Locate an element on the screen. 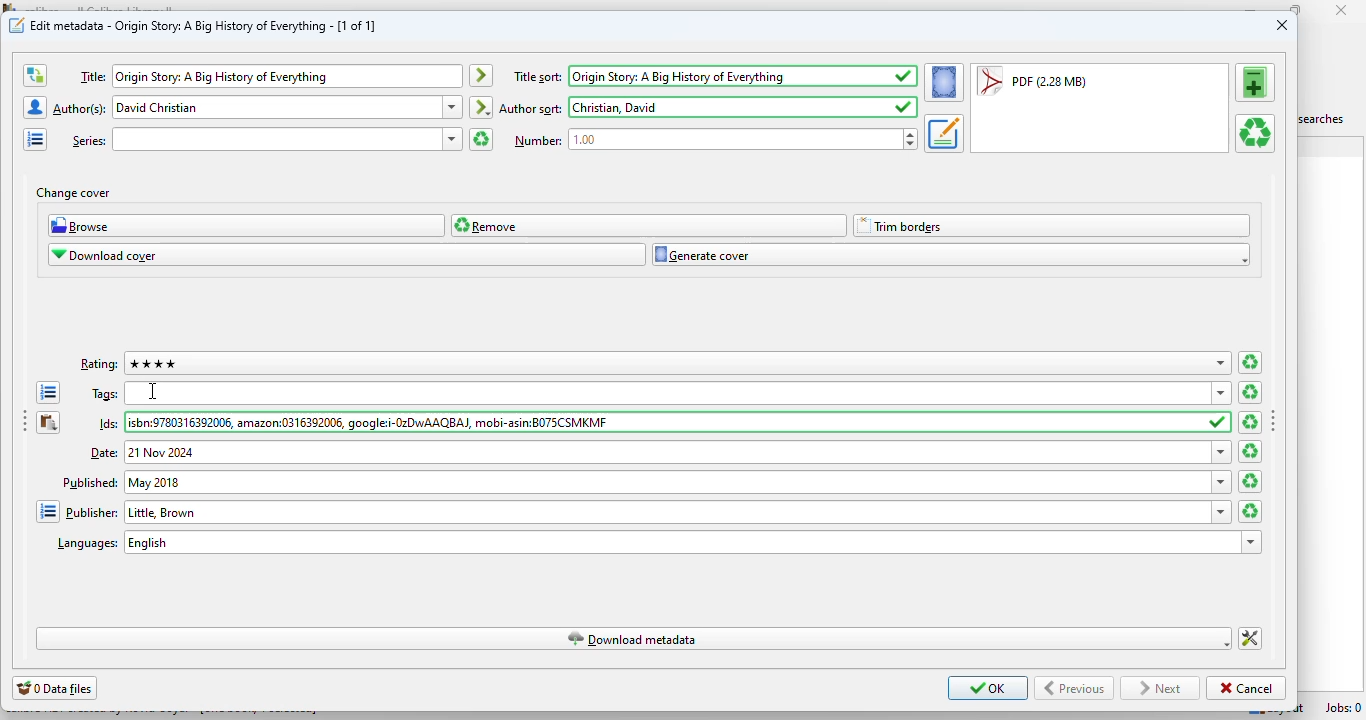  text is located at coordinates (92, 511).